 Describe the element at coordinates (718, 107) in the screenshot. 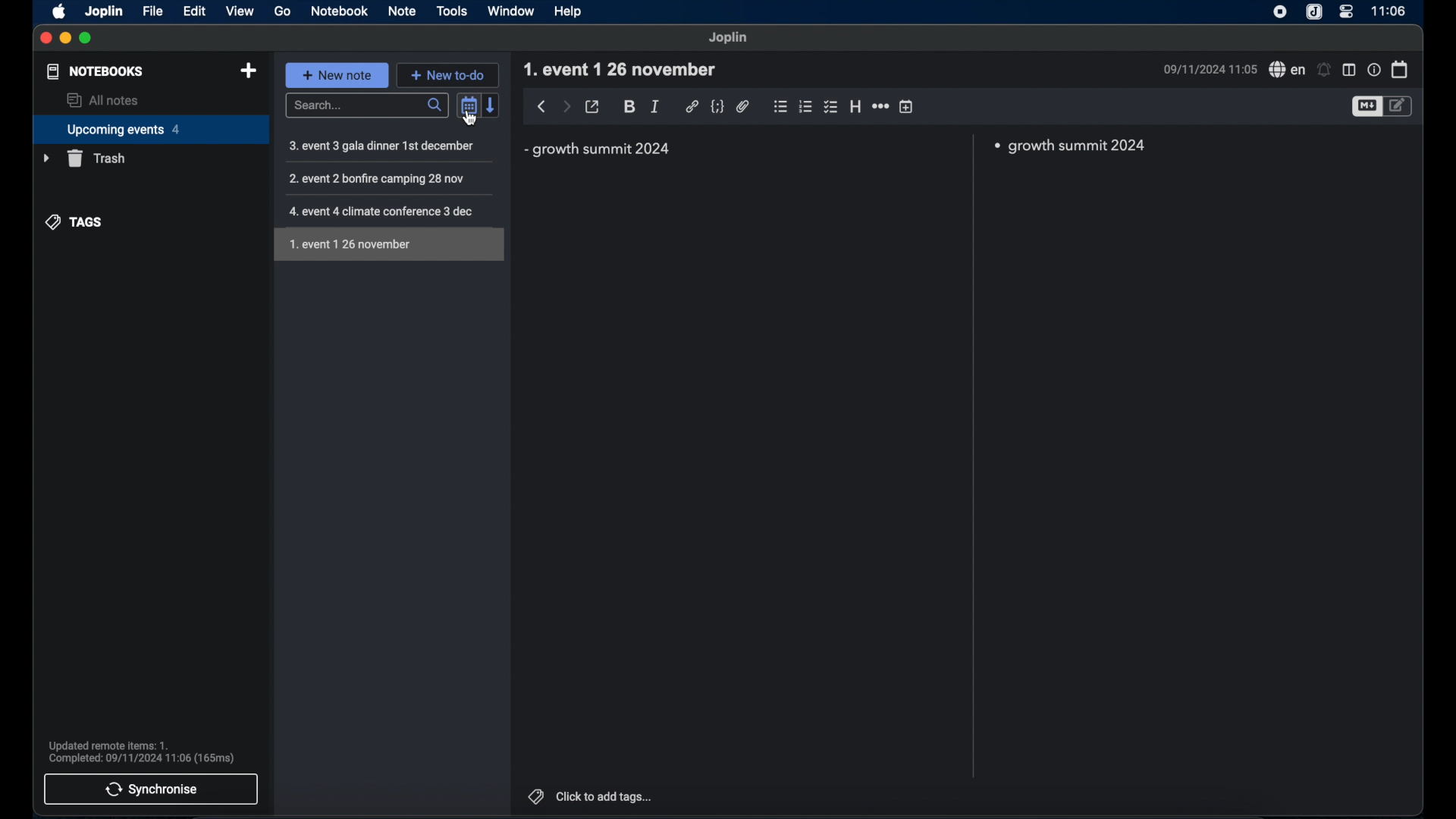

I see `code` at that location.